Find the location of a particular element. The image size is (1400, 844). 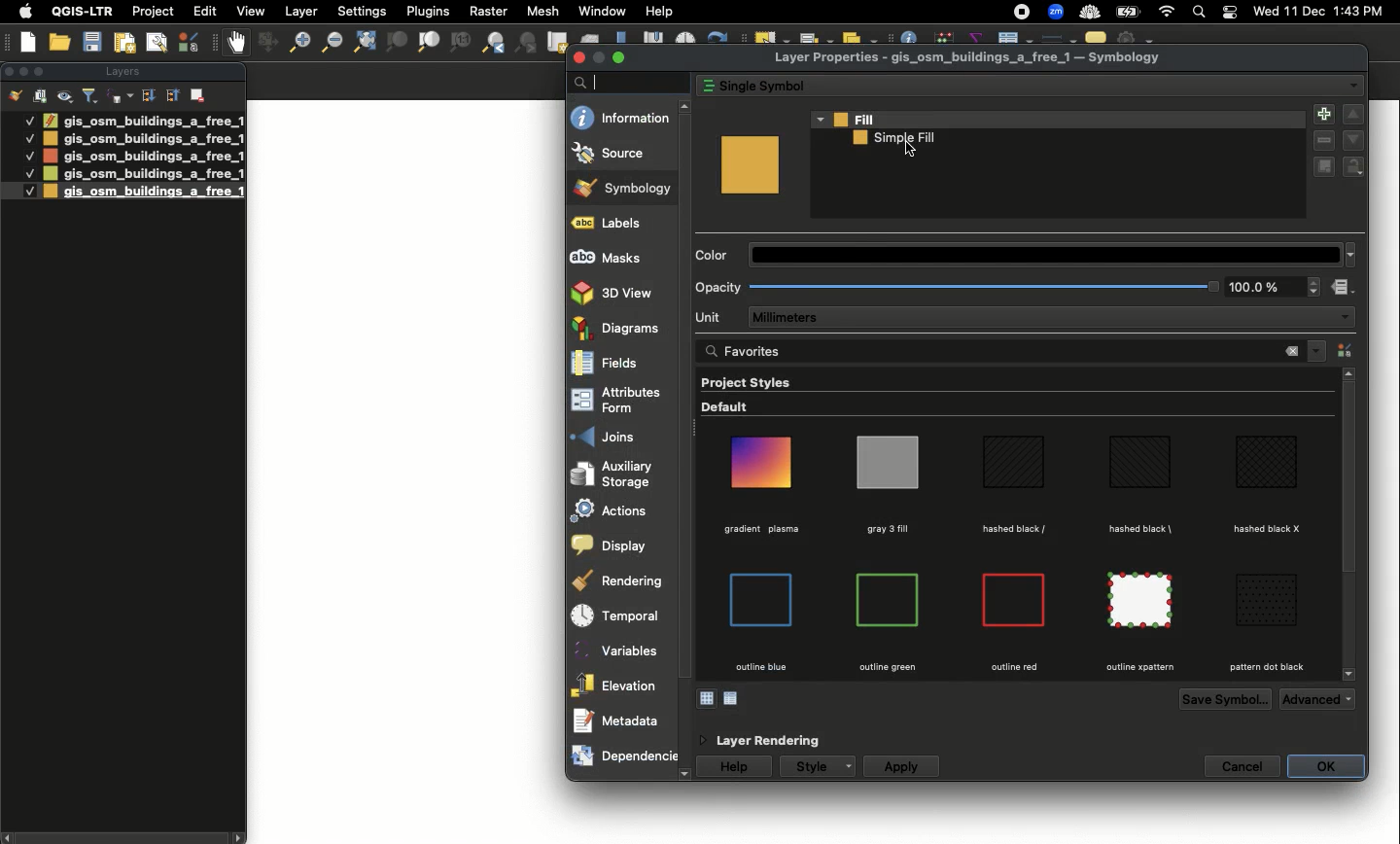

Plugins is located at coordinates (426, 10).